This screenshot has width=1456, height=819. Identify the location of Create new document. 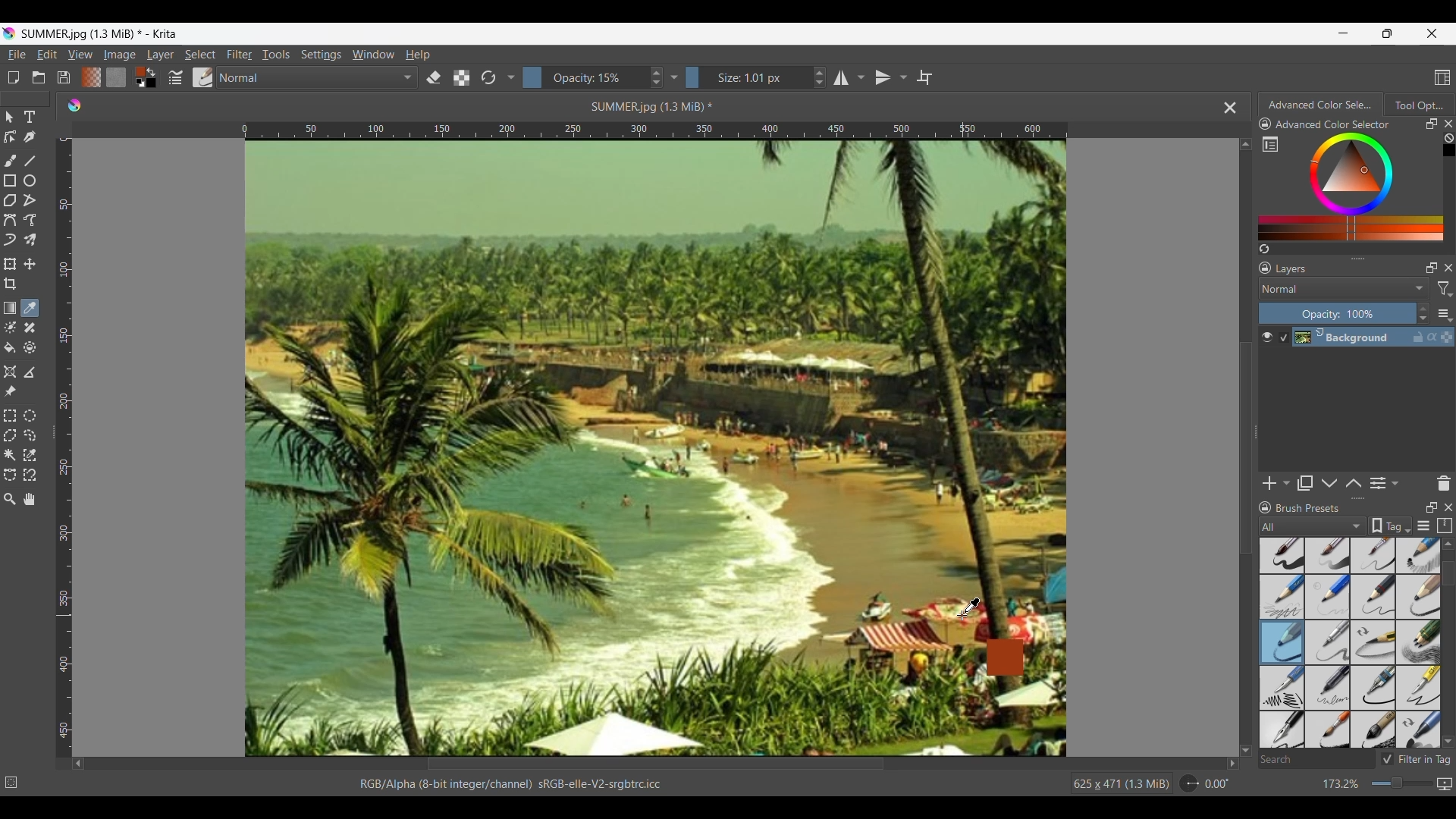
(13, 78).